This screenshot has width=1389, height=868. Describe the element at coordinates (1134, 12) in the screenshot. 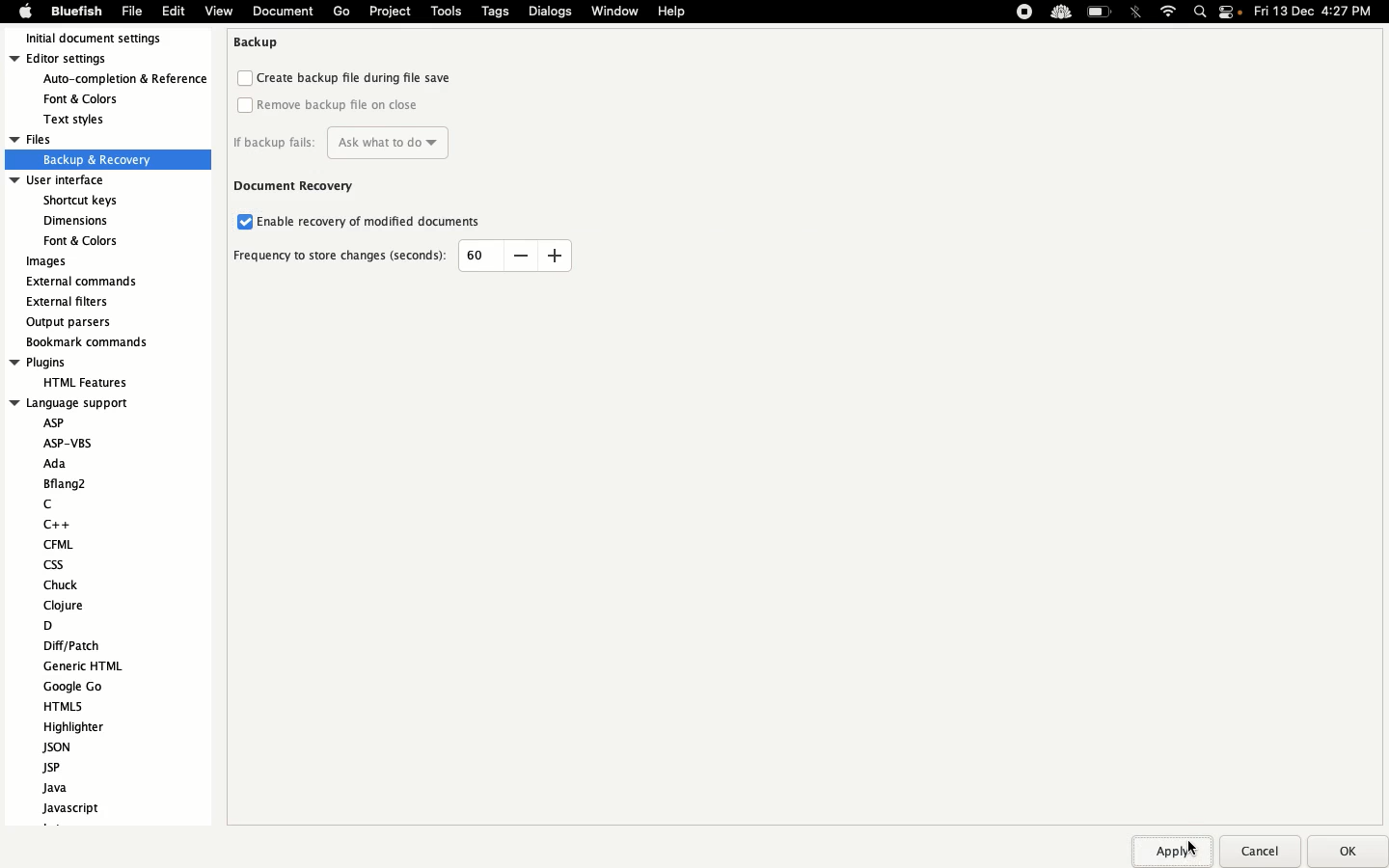

I see `Bluetooth` at that location.